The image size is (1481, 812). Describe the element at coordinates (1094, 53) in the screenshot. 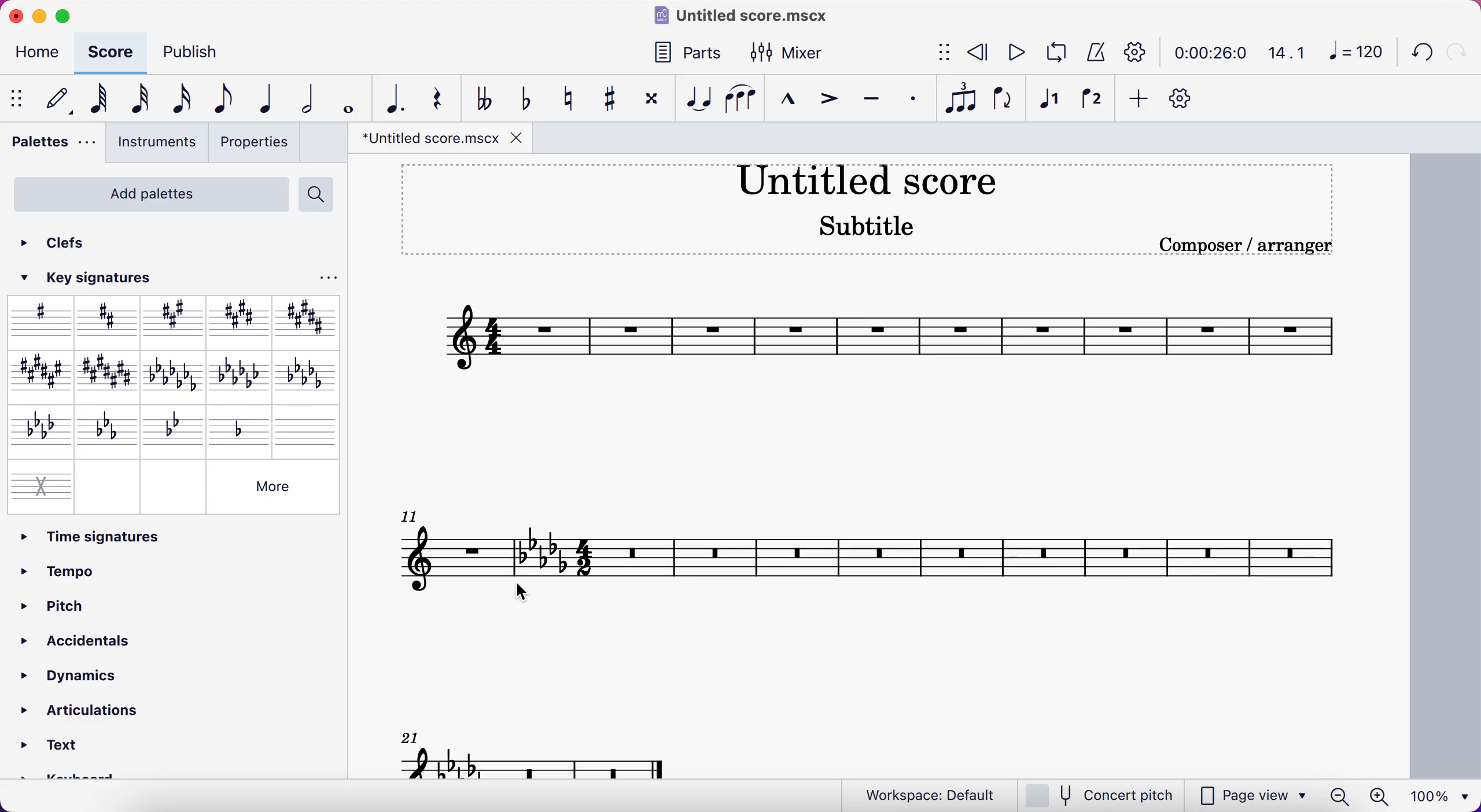

I see `metronome` at that location.